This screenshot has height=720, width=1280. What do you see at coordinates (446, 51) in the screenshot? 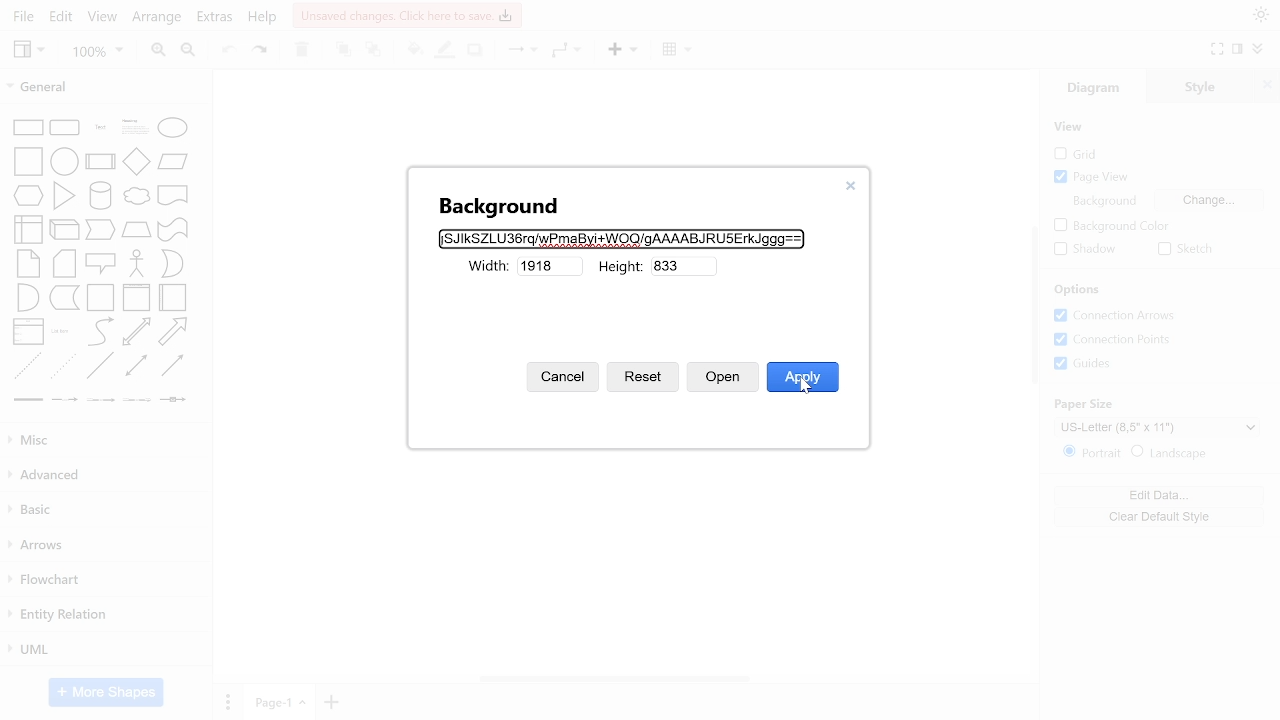
I see `fill line` at bounding box center [446, 51].